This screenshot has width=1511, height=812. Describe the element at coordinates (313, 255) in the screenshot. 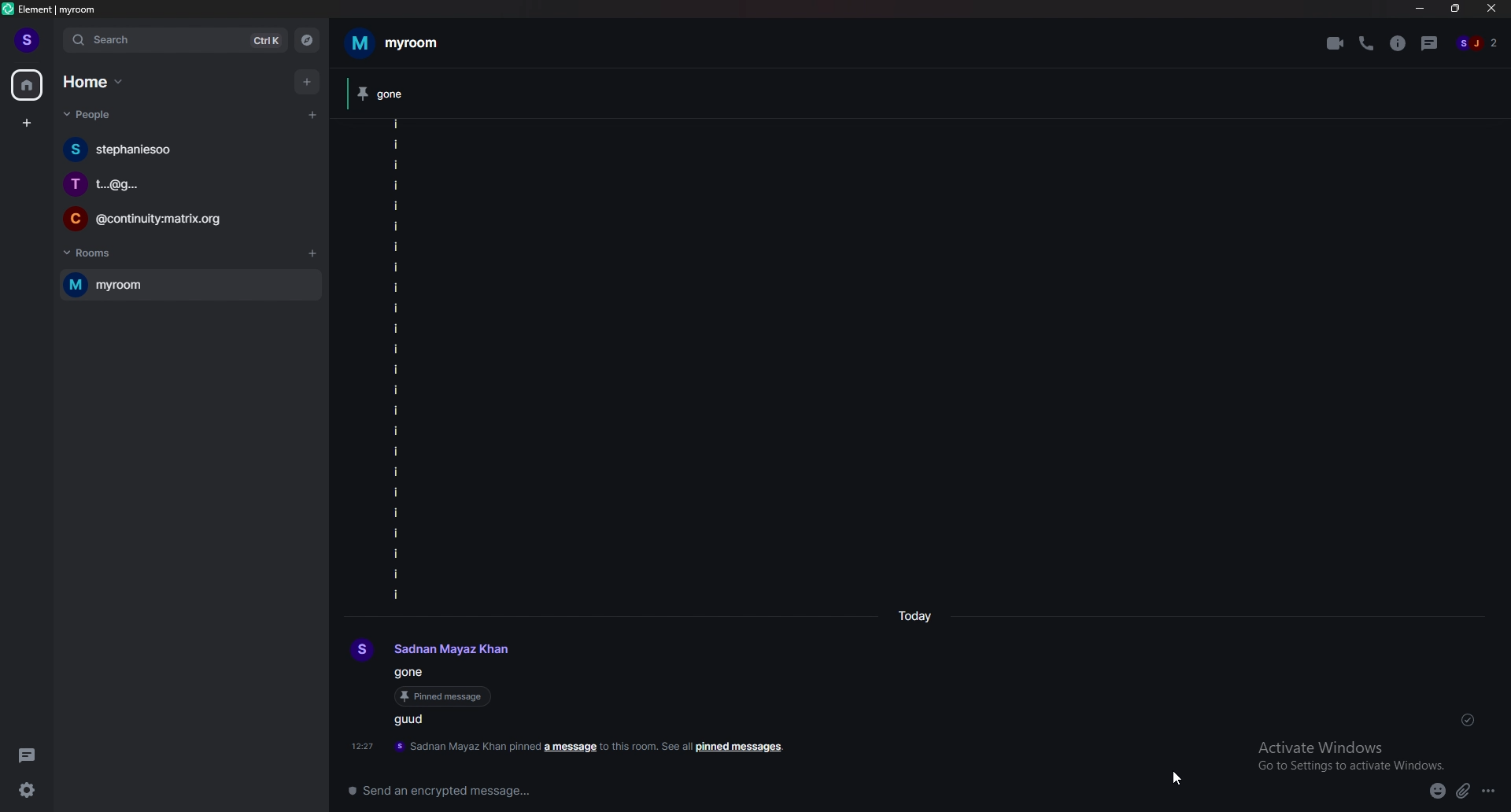

I see `create room` at that location.